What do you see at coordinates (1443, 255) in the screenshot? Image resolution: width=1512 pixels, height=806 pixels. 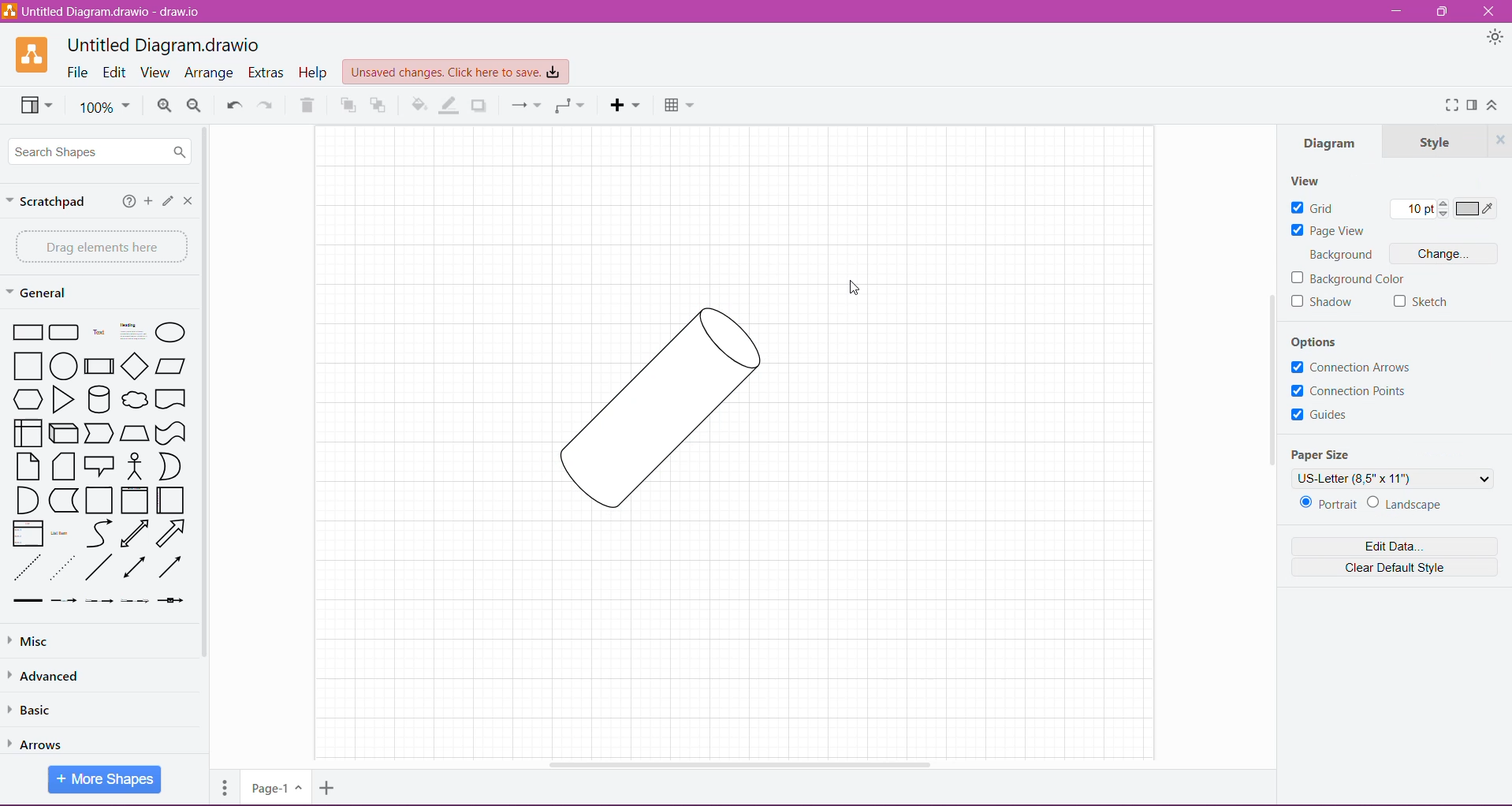 I see `lick to change Background` at bounding box center [1443, 255].